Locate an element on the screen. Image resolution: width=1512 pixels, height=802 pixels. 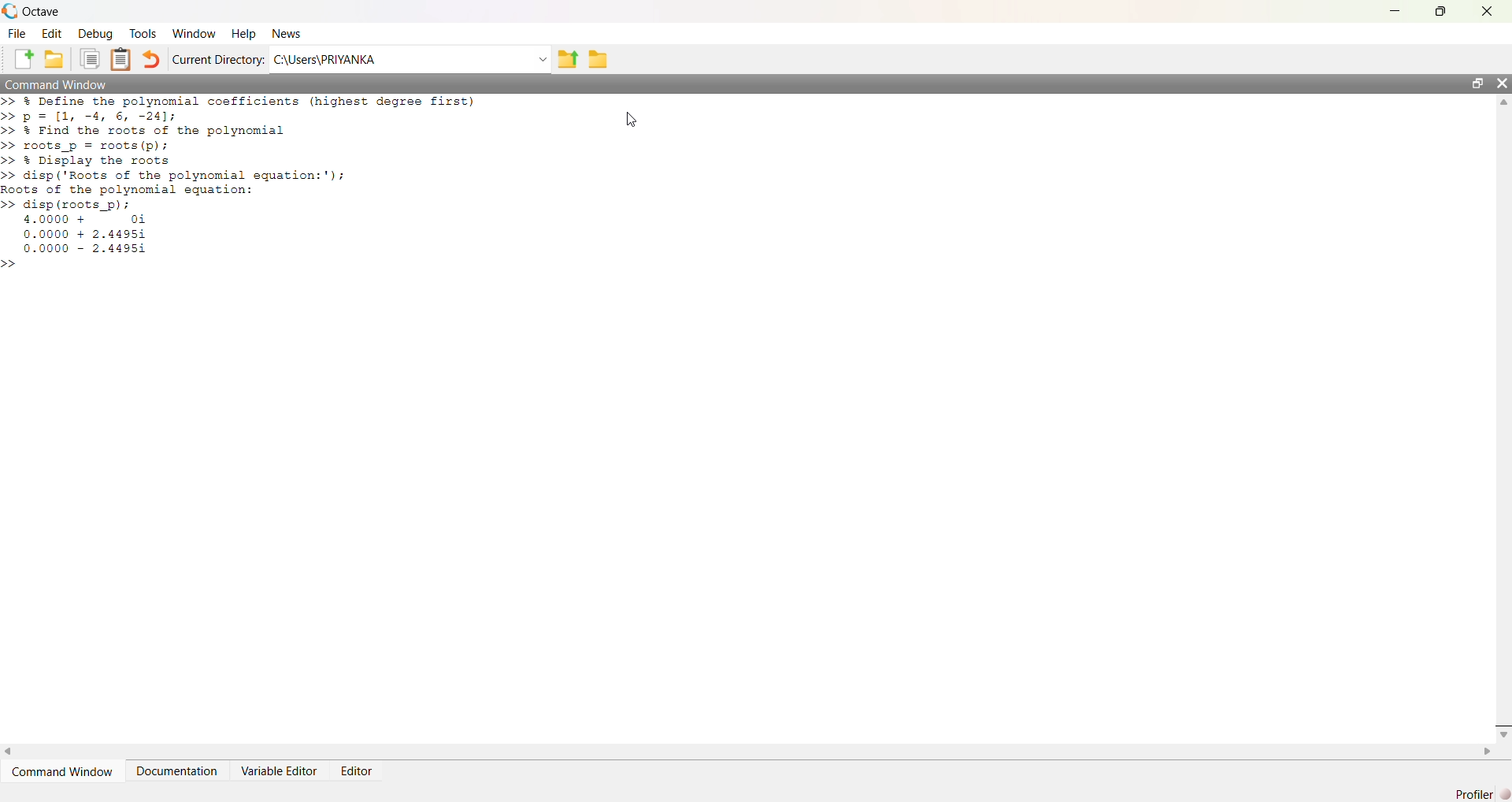
Variable Editor is located at coordinates (278, 770).